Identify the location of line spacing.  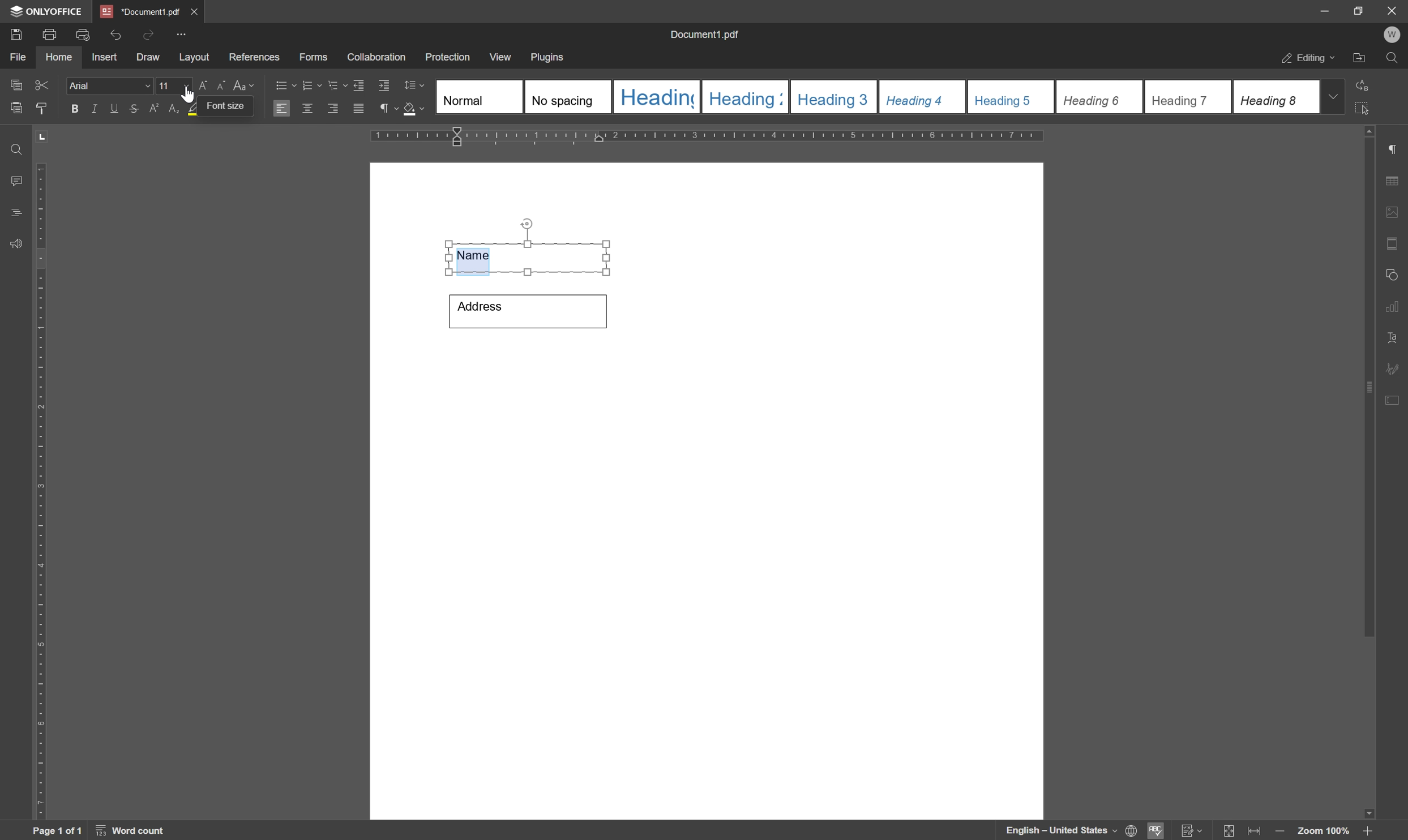
(414, 85).